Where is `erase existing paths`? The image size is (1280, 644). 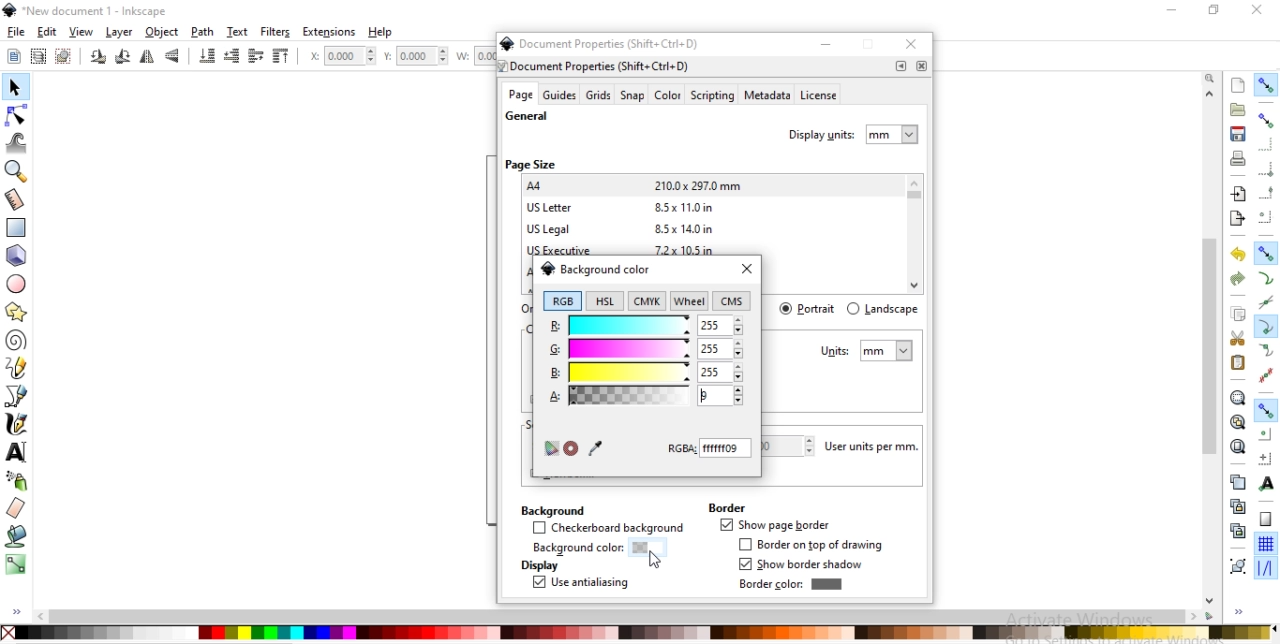 erase existing paths is located at coordinates (16, 507).